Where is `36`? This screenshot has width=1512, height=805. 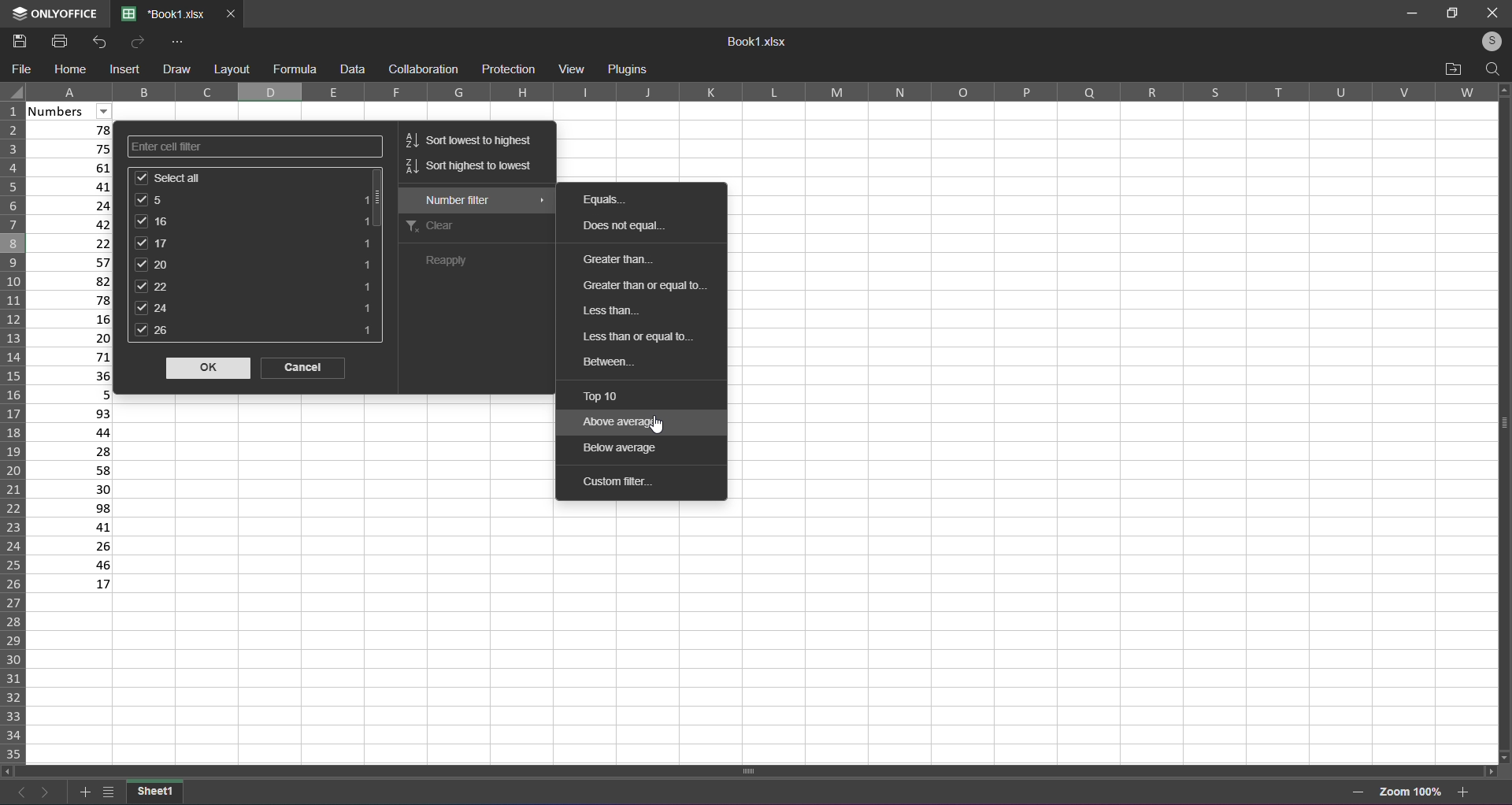 36 is located at coordinates (75, 377).